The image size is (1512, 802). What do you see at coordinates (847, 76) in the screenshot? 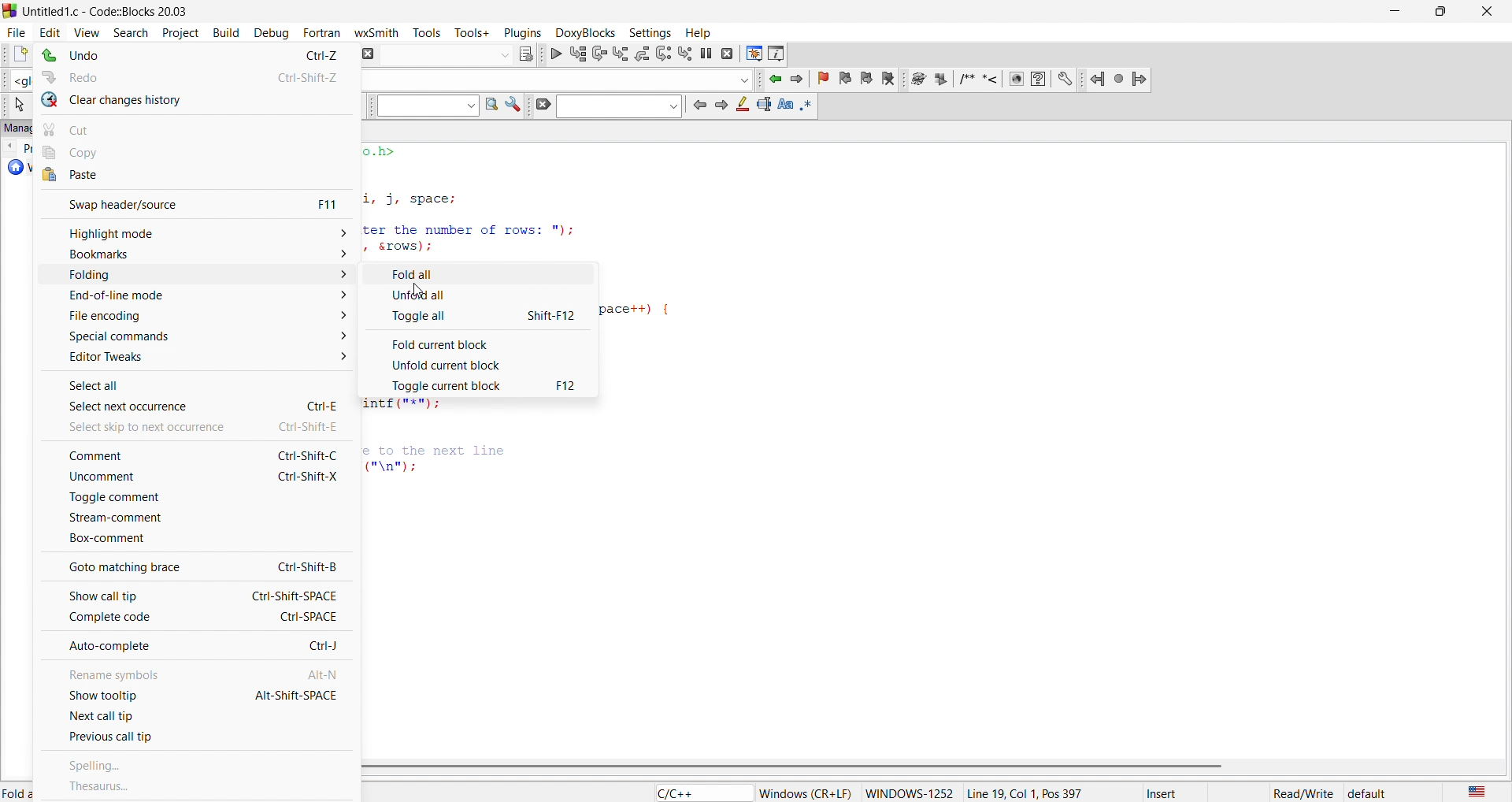
I see `previous bookmark` at bounding box center [847, 76].